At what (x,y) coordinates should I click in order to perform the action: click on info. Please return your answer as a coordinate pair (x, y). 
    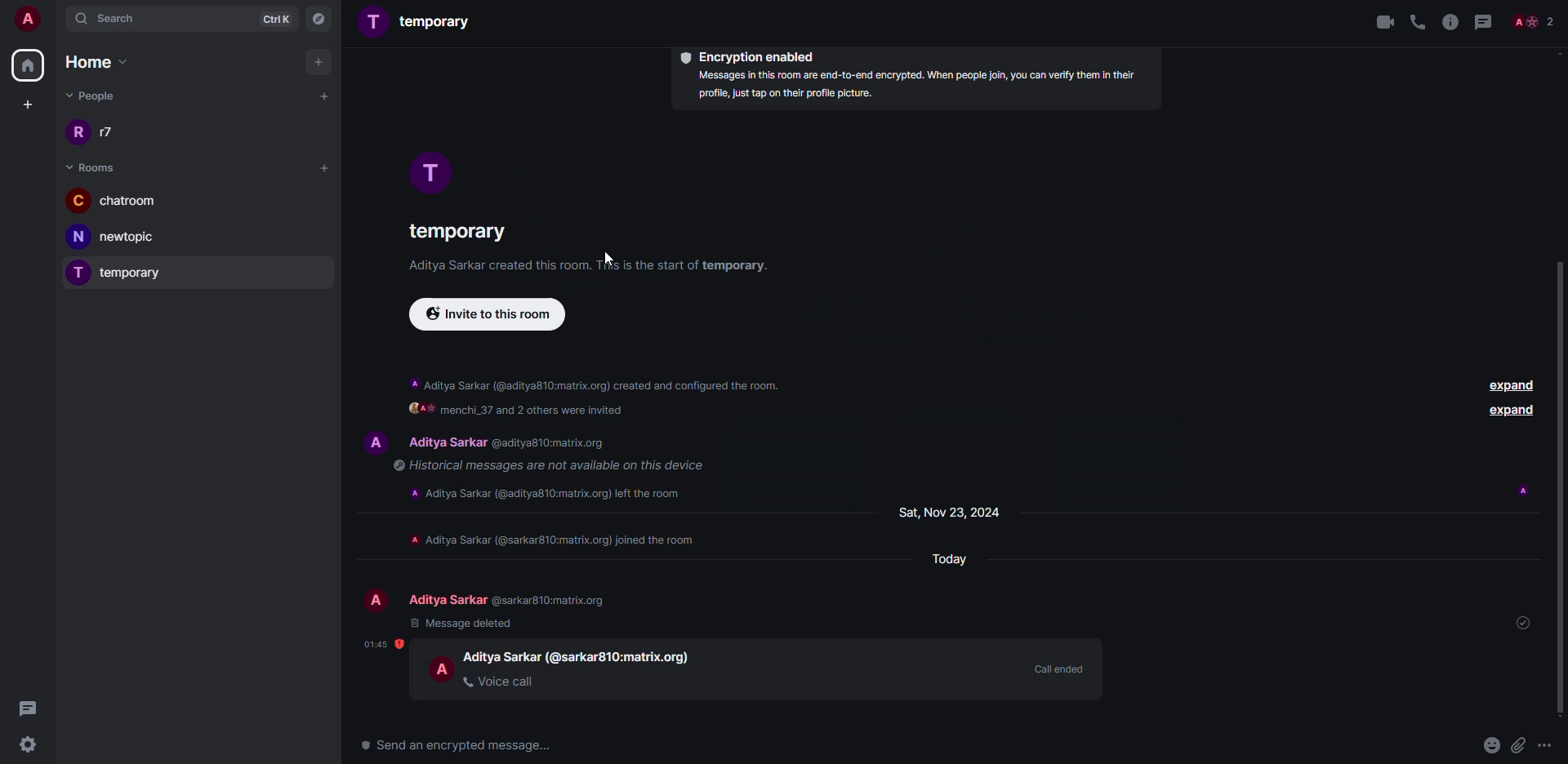
    Looking at the image, I should click on (588, 265).